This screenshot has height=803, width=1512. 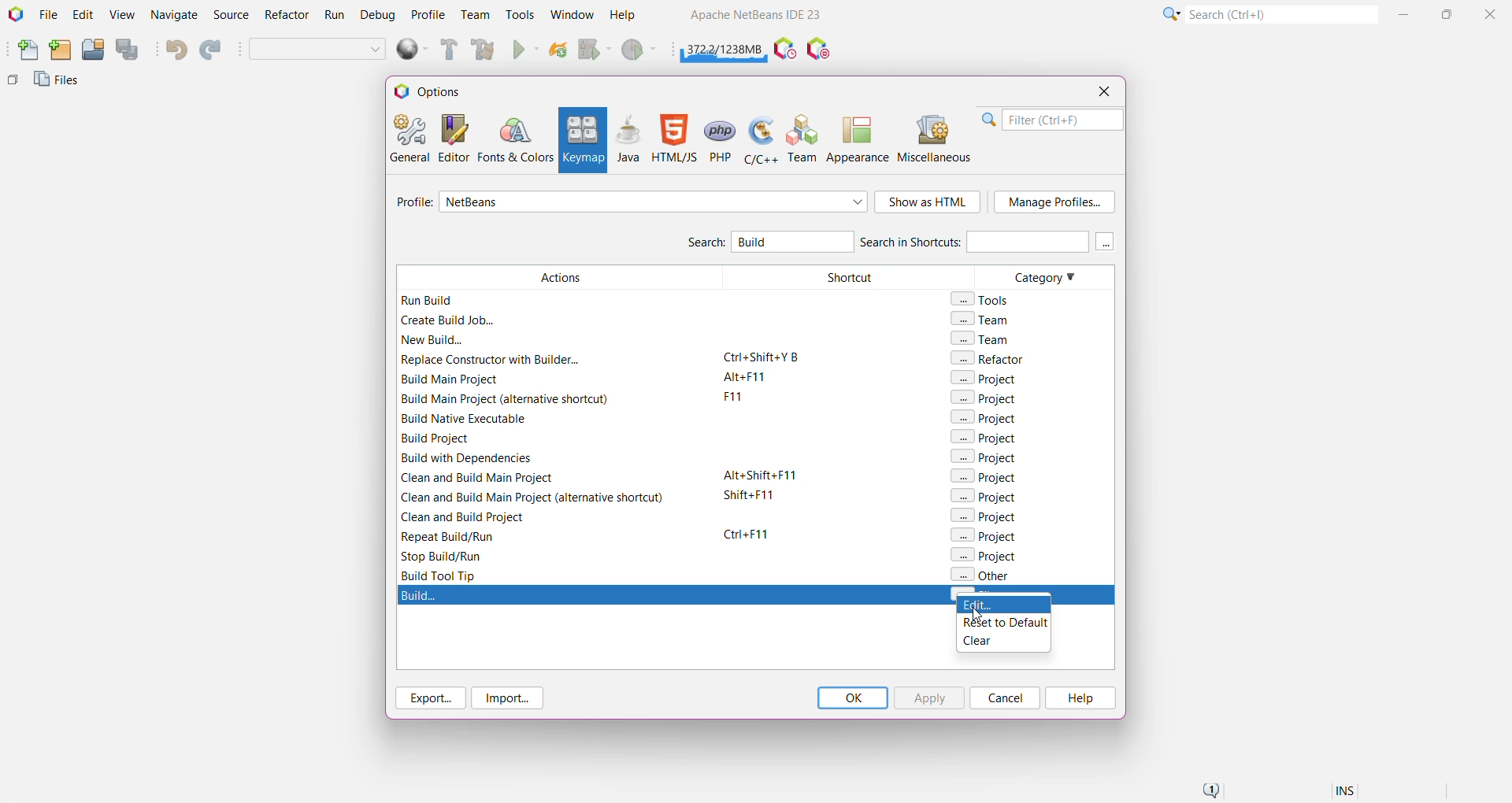 What do you see at coordinates (376, 16) in the screenshot?
I see `Debug ` at bounding box center [376, 16].